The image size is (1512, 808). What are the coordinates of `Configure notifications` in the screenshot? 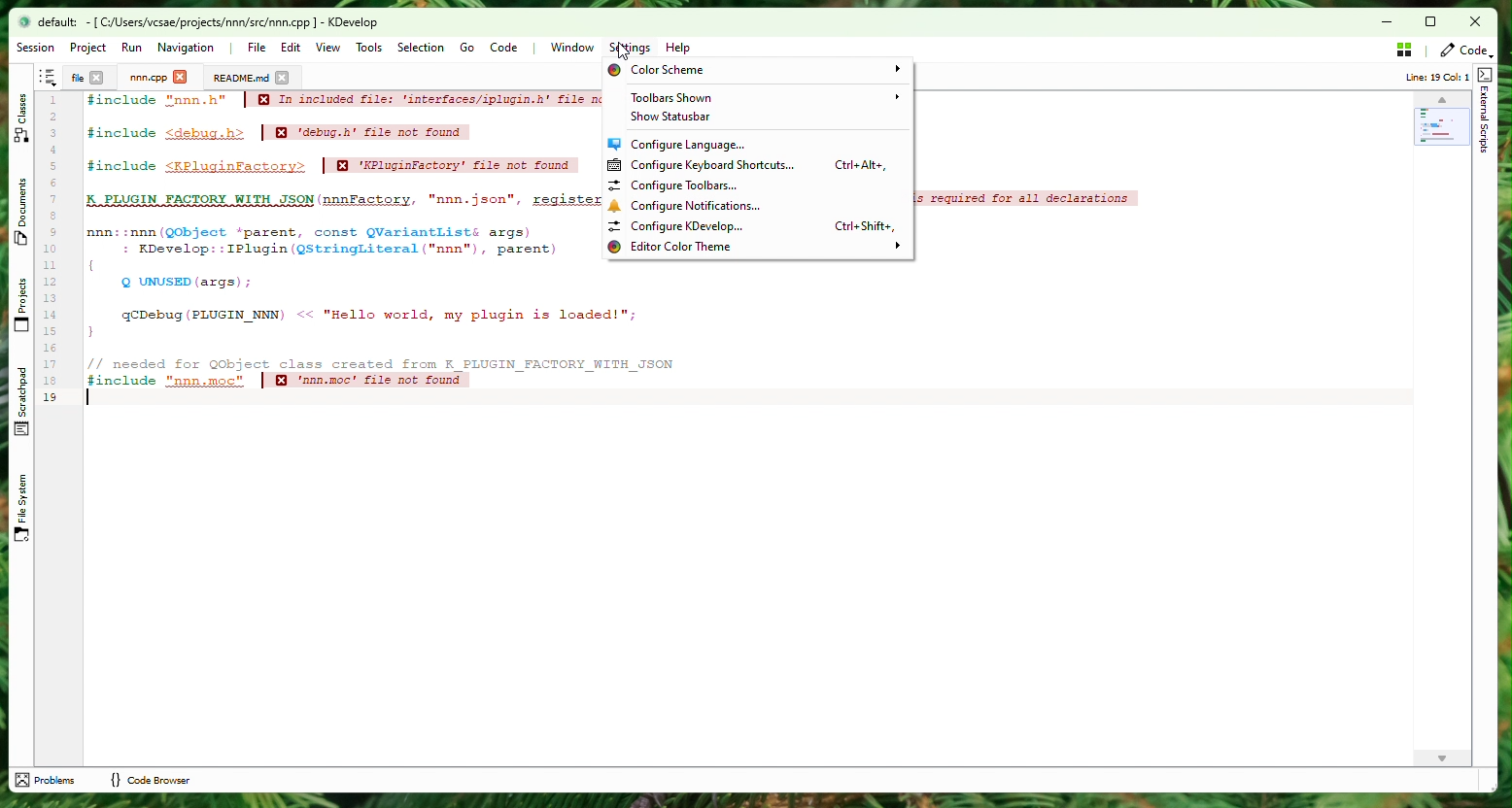 It's located at (753, 206).